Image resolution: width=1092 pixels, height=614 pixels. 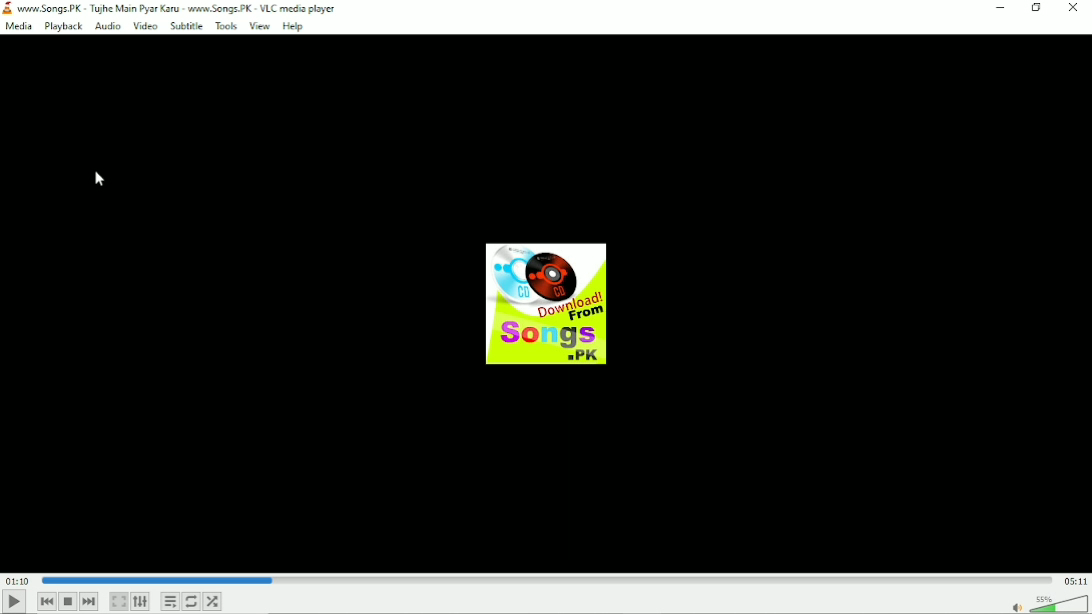 I want to click on Cursor, so click(x=98, y=179).